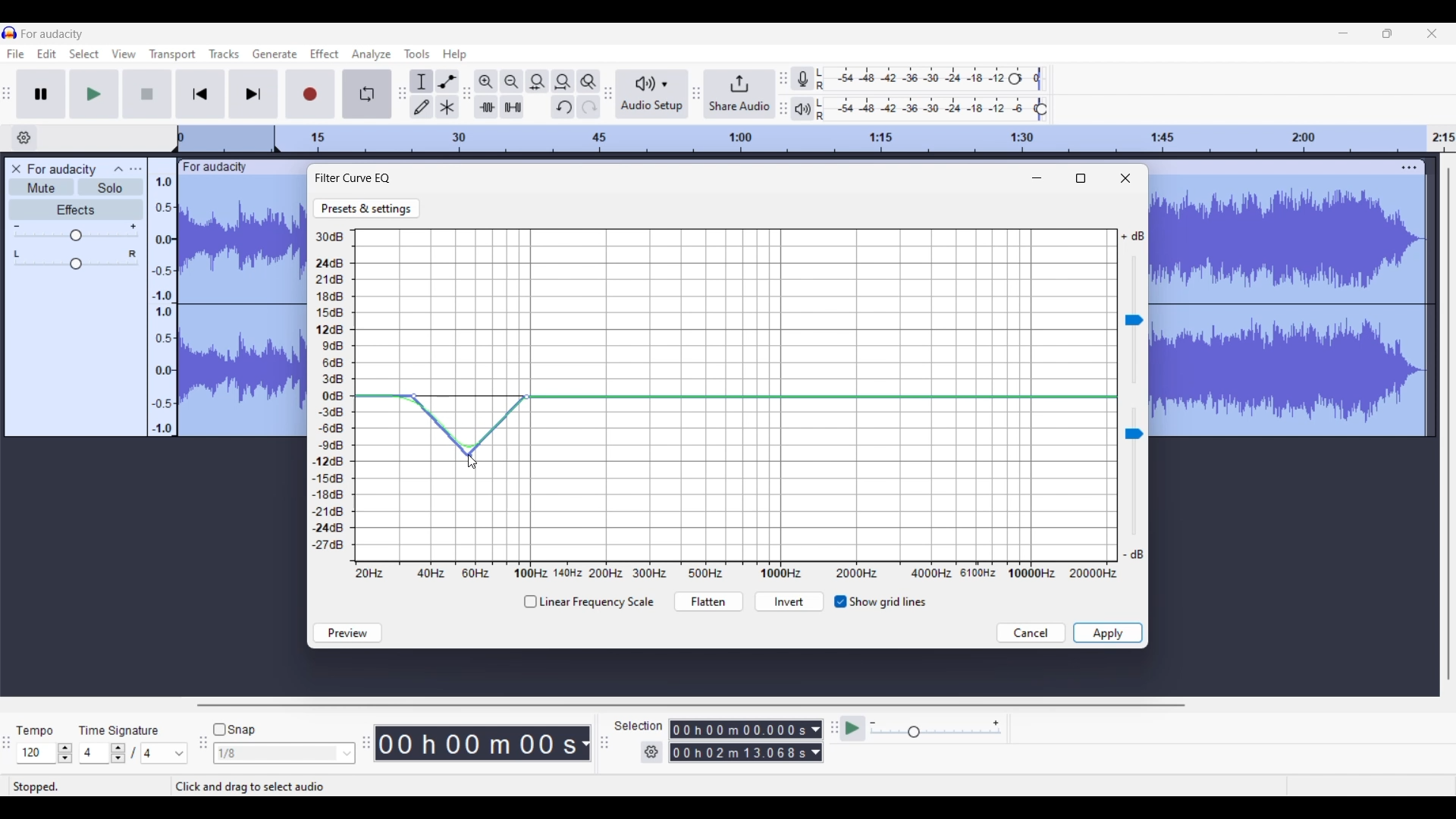 This screenshot has width=1456, height=819. Describe the element at coordinates (371, 55) in the screenshot. I see `Analyze menu` at that location.